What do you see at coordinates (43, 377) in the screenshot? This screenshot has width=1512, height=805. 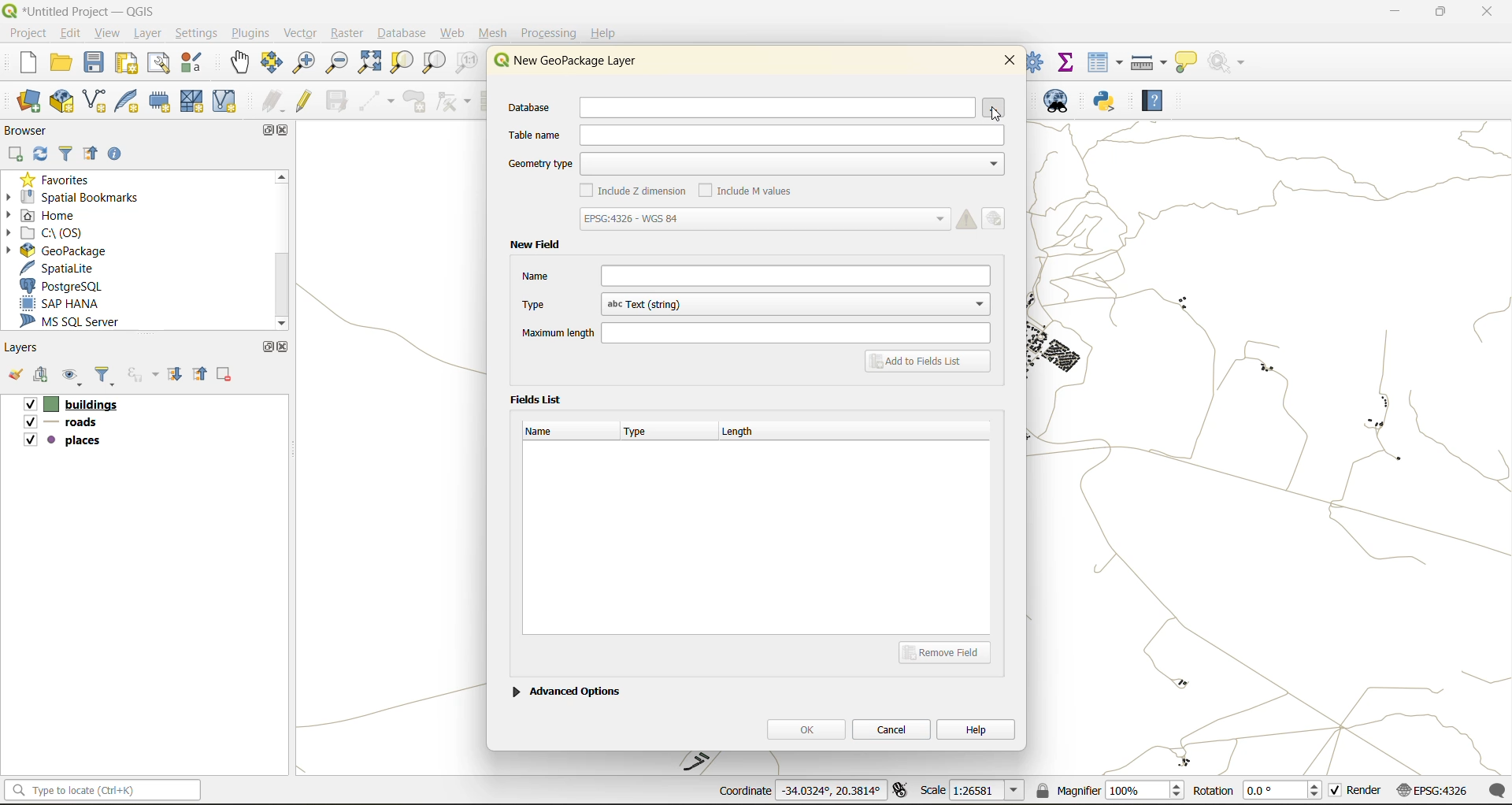 I see `add` at bounding box center [43, 377].